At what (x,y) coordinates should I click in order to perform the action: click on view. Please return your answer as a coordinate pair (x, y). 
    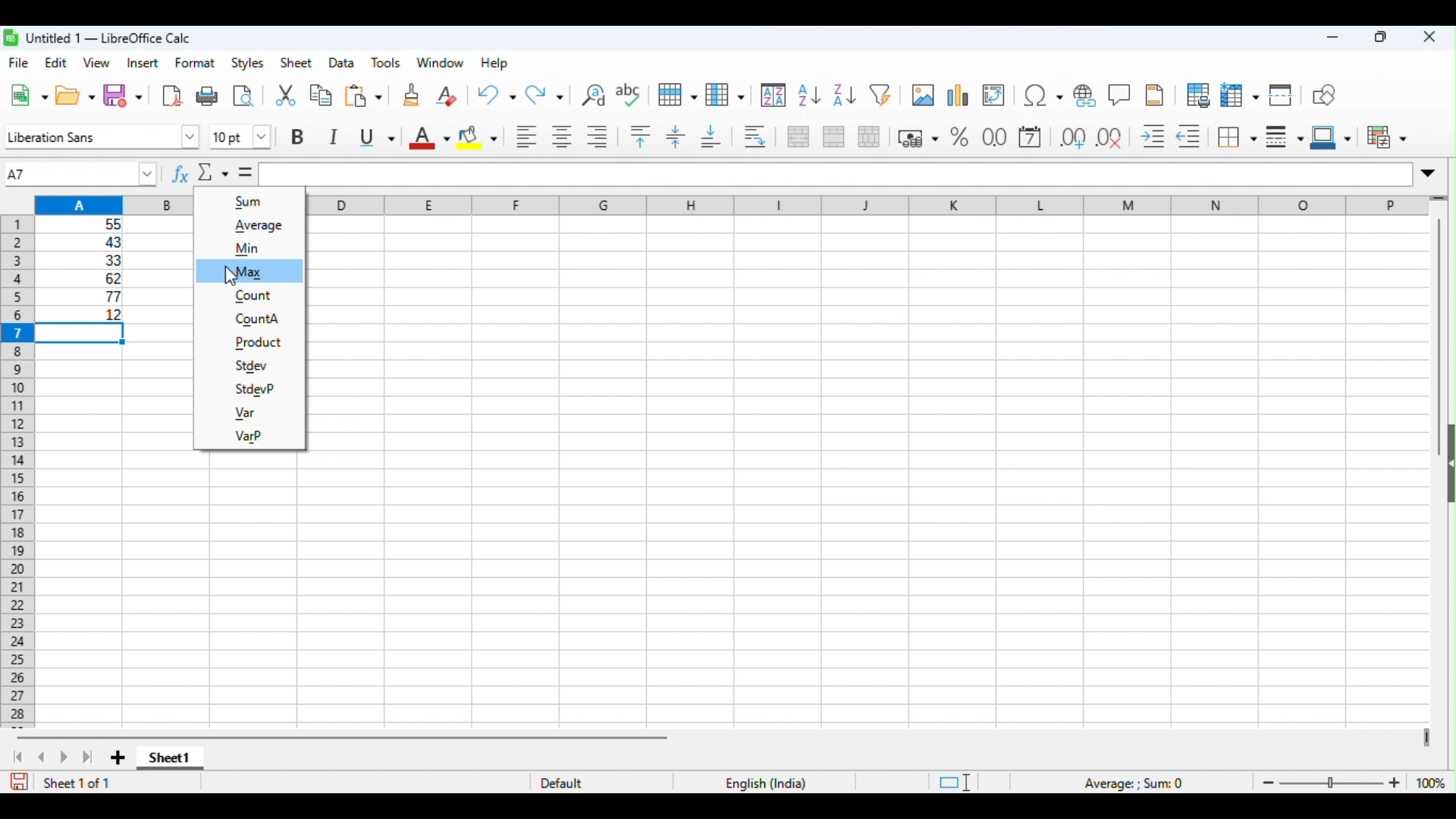
    Looking at the image, I should click on (96, 63).